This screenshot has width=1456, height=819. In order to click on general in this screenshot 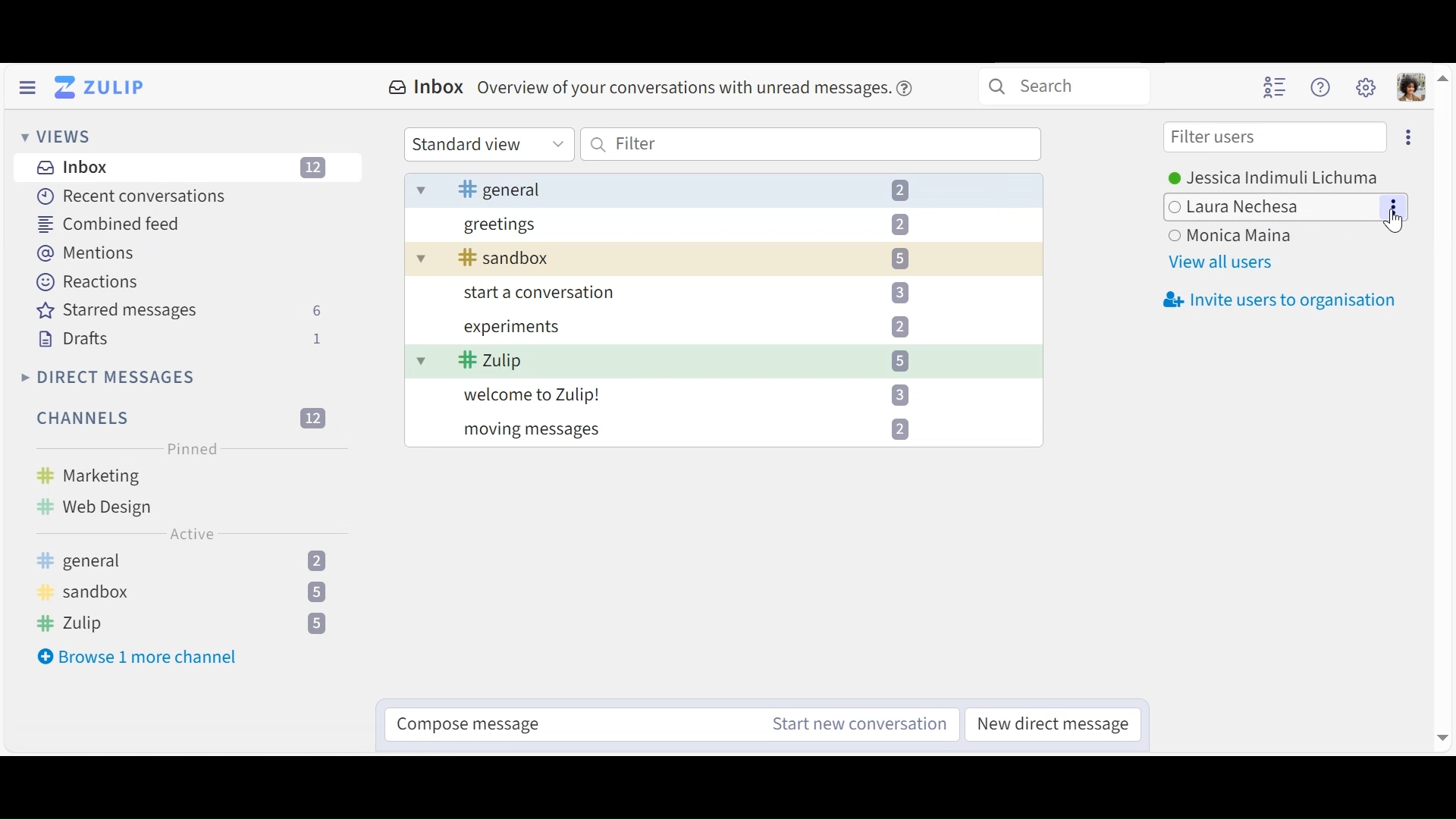, I will do `click(184, 562)`.